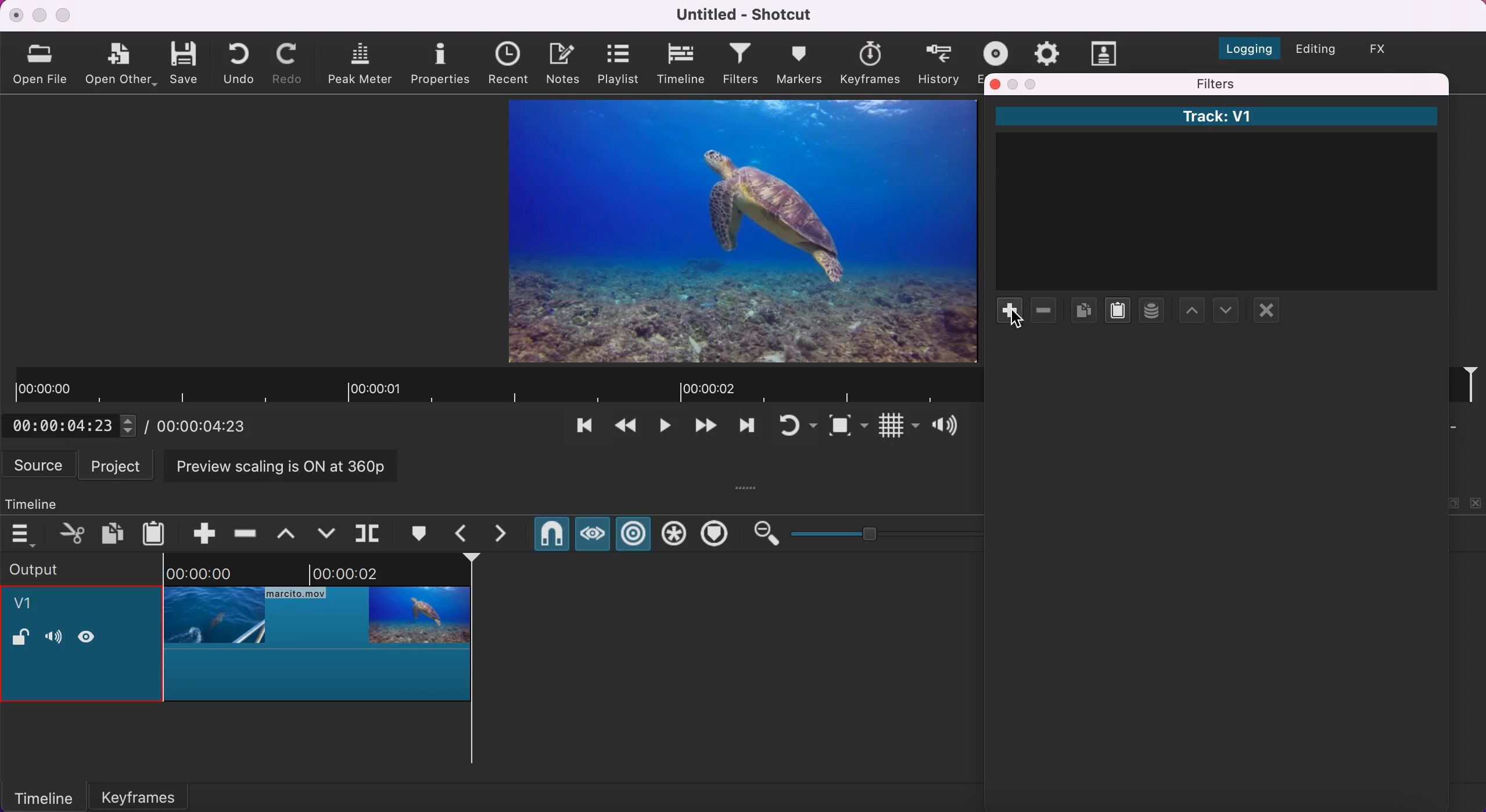 This screenshot has height=812, width=1486. What do you see at coordinates (1314, 51) in the screenshot?
I see `switch to the editing layout` at bounding box center [1314, 51].